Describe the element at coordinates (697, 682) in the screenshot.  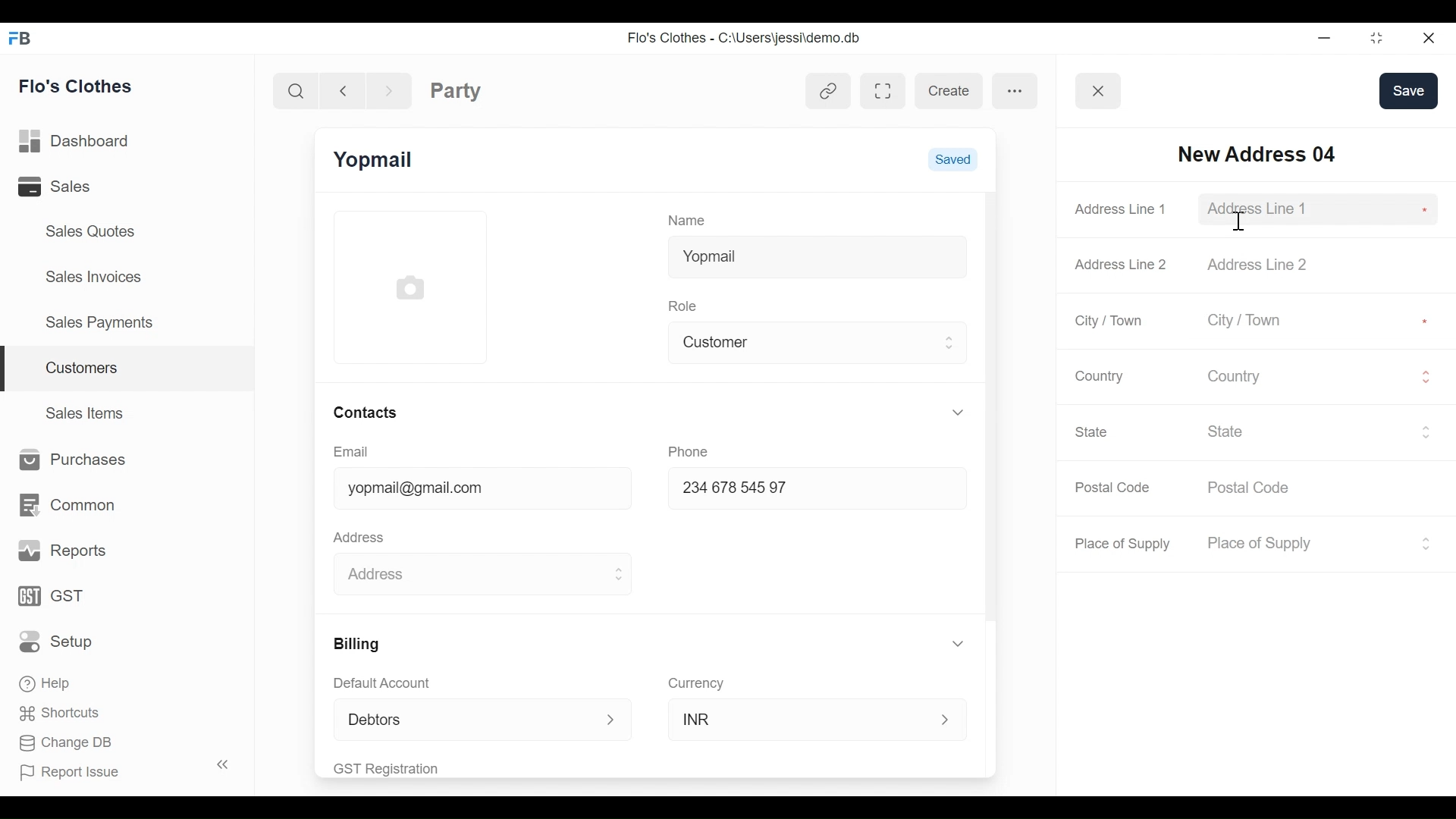
I see `Currency` at that location.